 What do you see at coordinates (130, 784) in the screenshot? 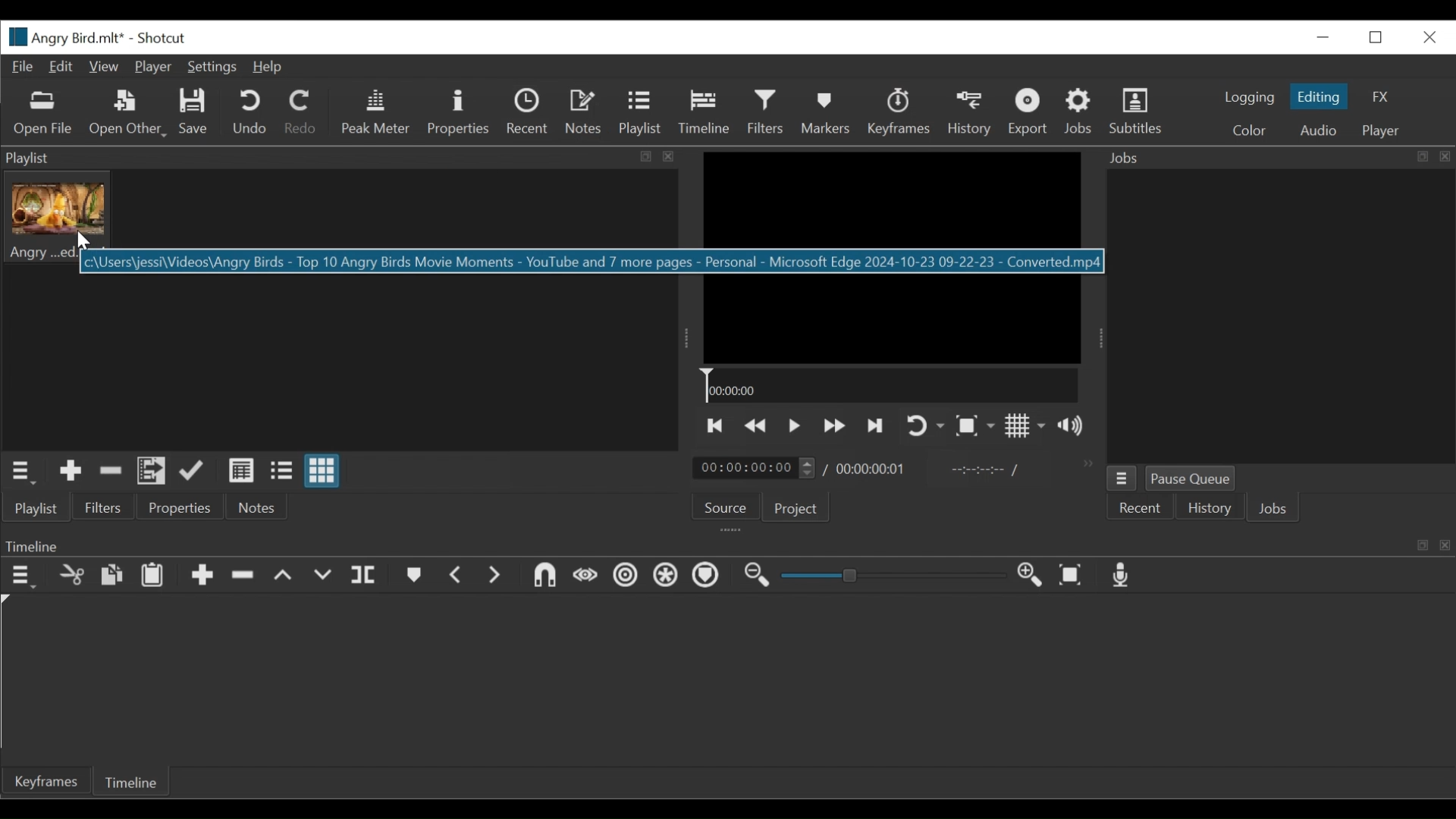
I see `Timelie` at bounding box center [130, 784].